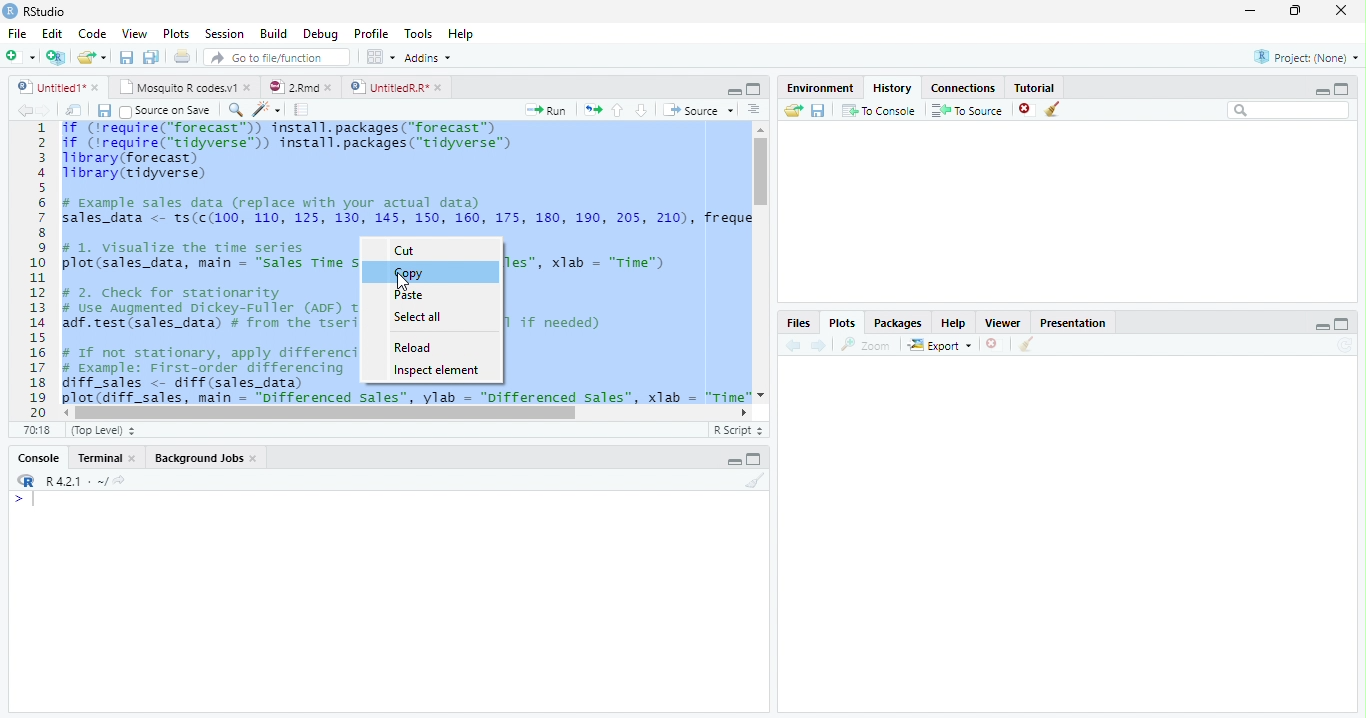  I want to click on Plots, so click(843, 323).